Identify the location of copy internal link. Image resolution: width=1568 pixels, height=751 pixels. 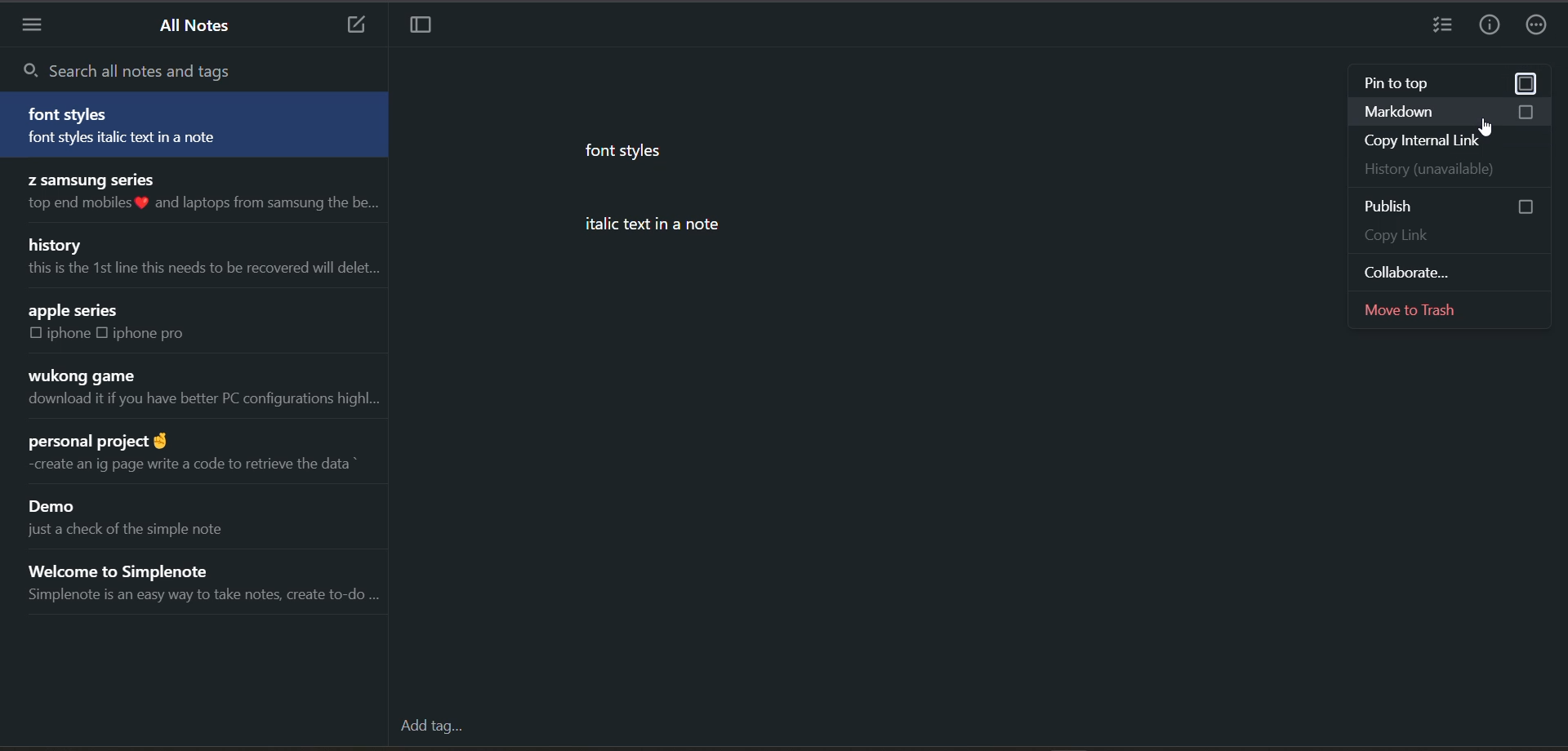
(1446, 140).